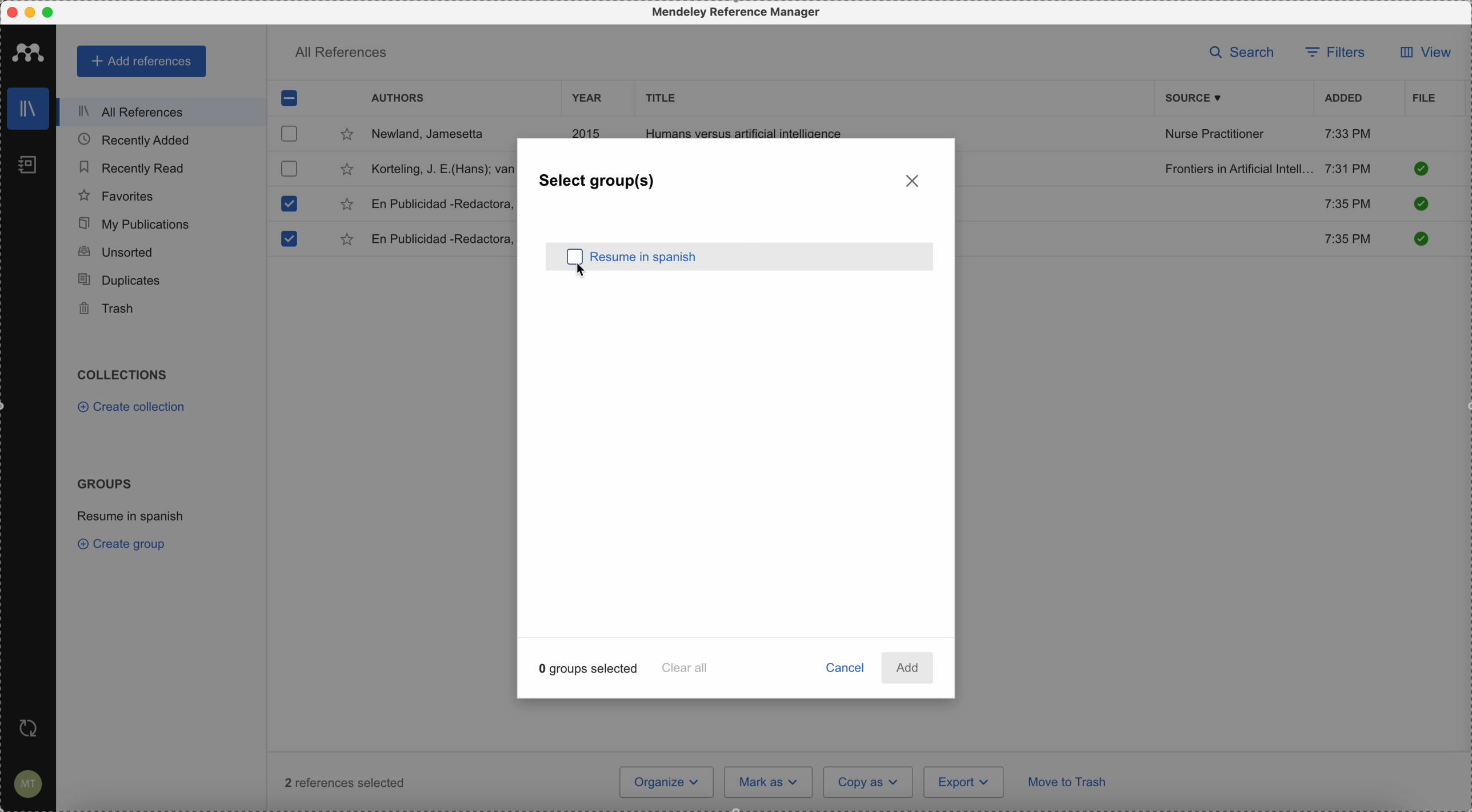  Describe the element at coordinates (441, 204) in the screenshot. I see `En Publicidad-Redactora, Lcda` at that location.